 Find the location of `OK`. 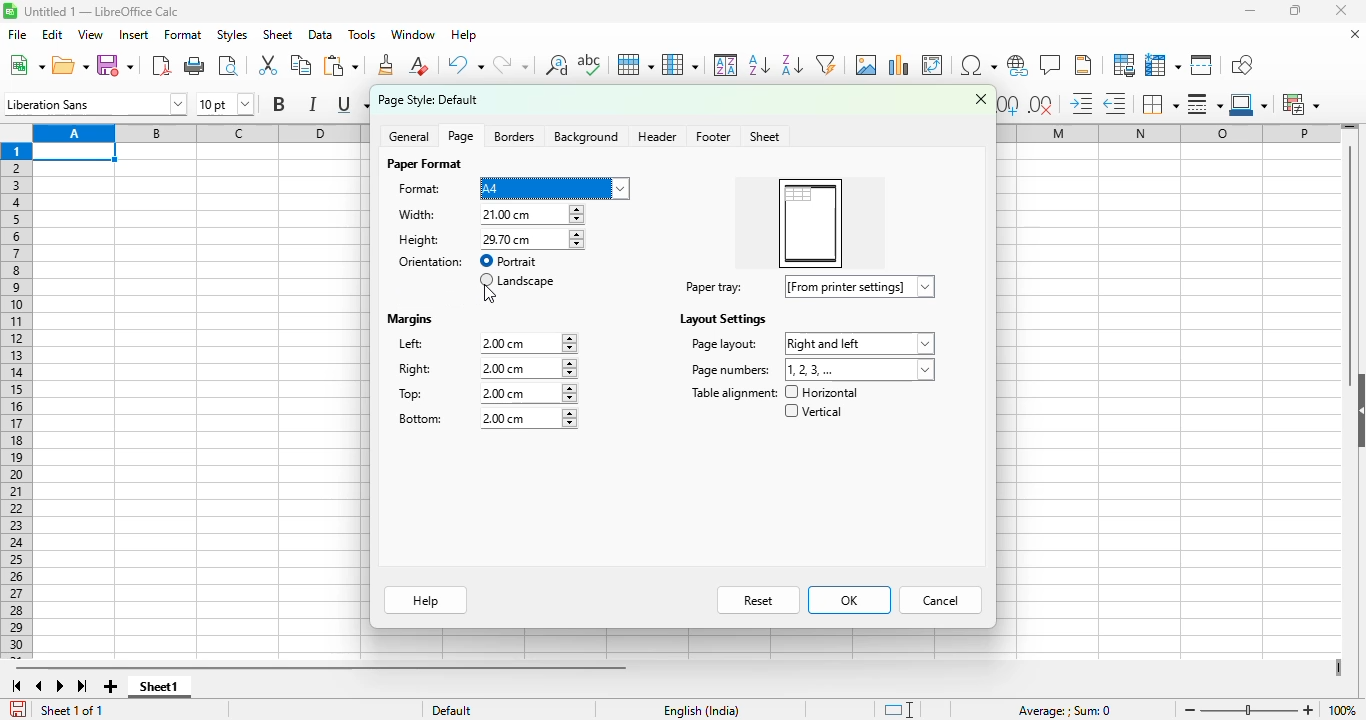

OK is located at coordinates (850, 600).